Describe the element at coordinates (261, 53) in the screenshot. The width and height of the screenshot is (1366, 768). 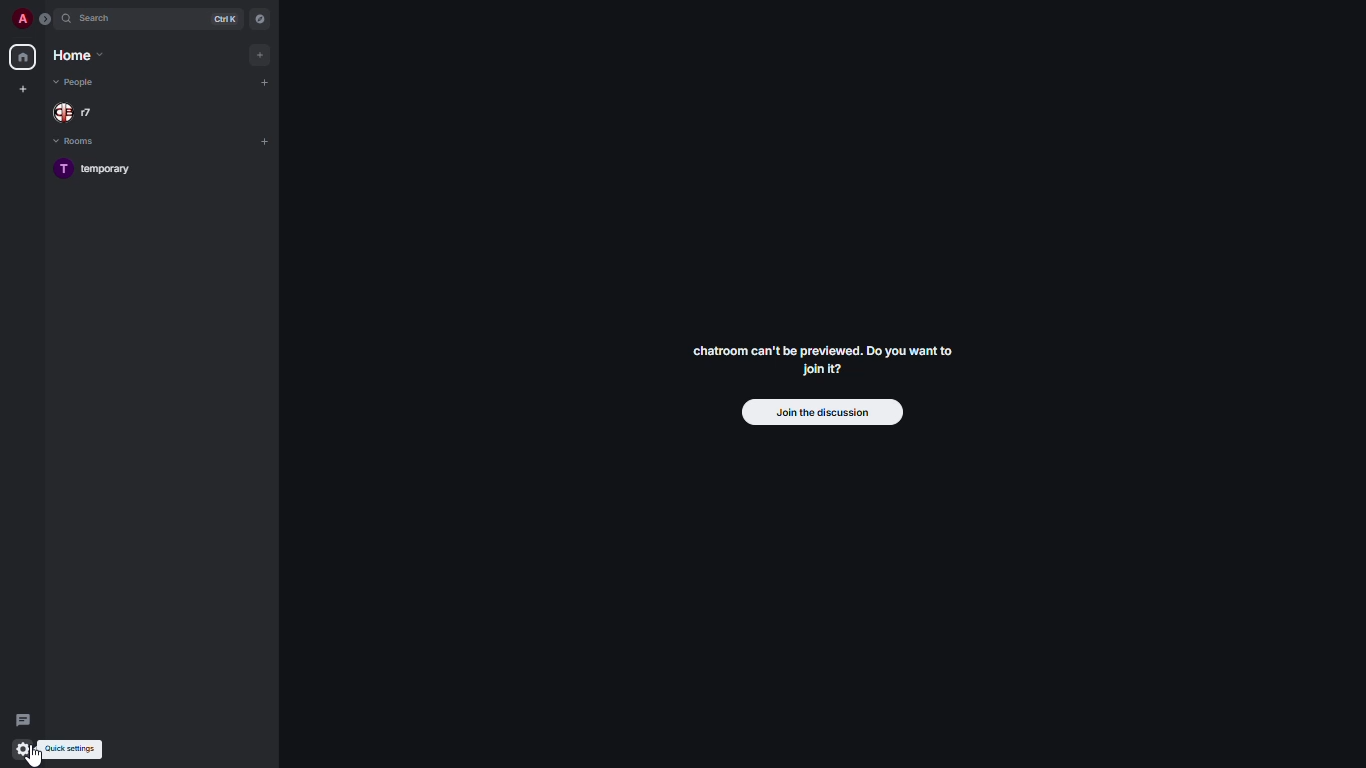
I see `add` at that location.